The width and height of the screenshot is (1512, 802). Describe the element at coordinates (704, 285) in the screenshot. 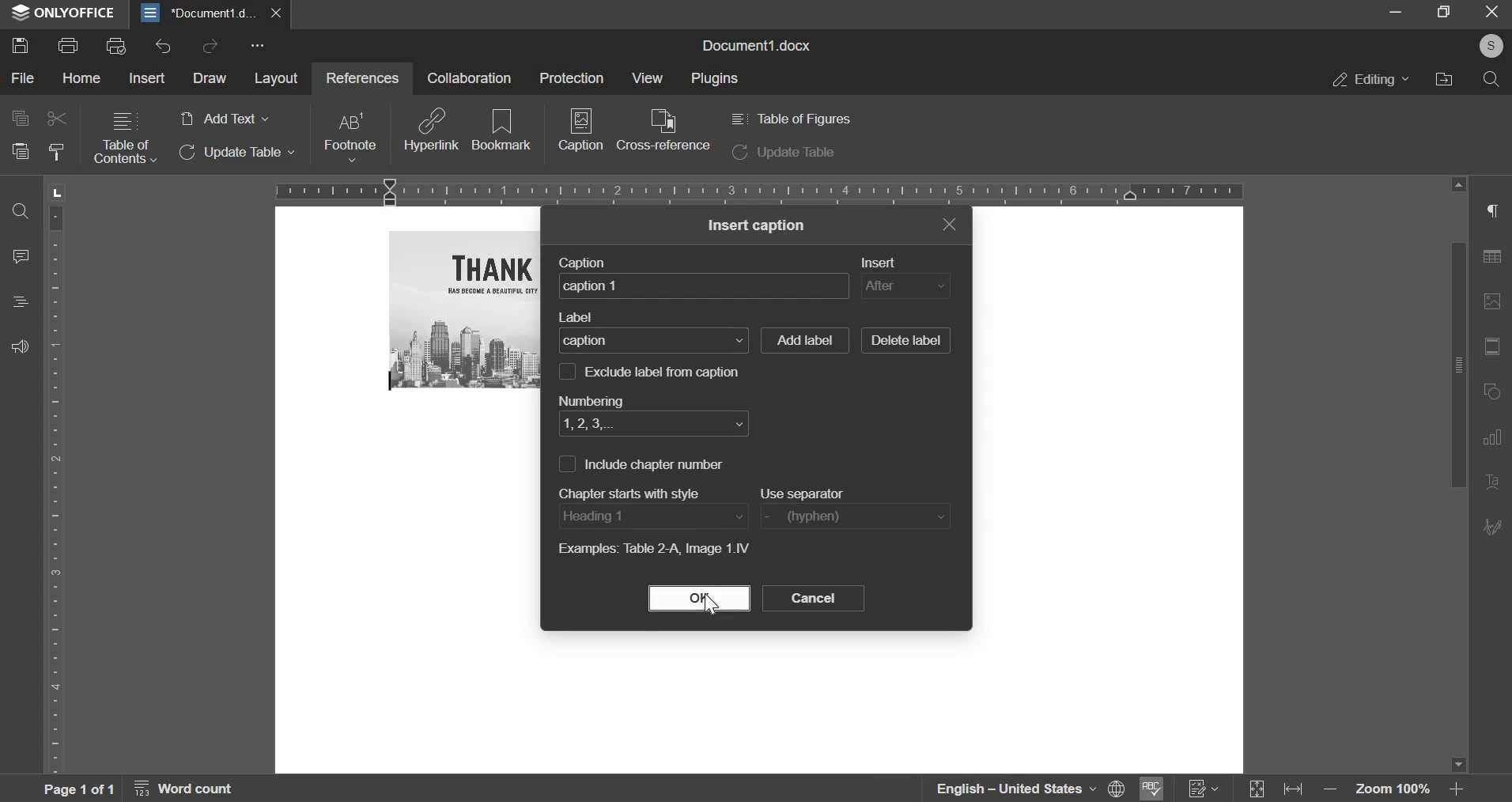

I see `caption` at that location.